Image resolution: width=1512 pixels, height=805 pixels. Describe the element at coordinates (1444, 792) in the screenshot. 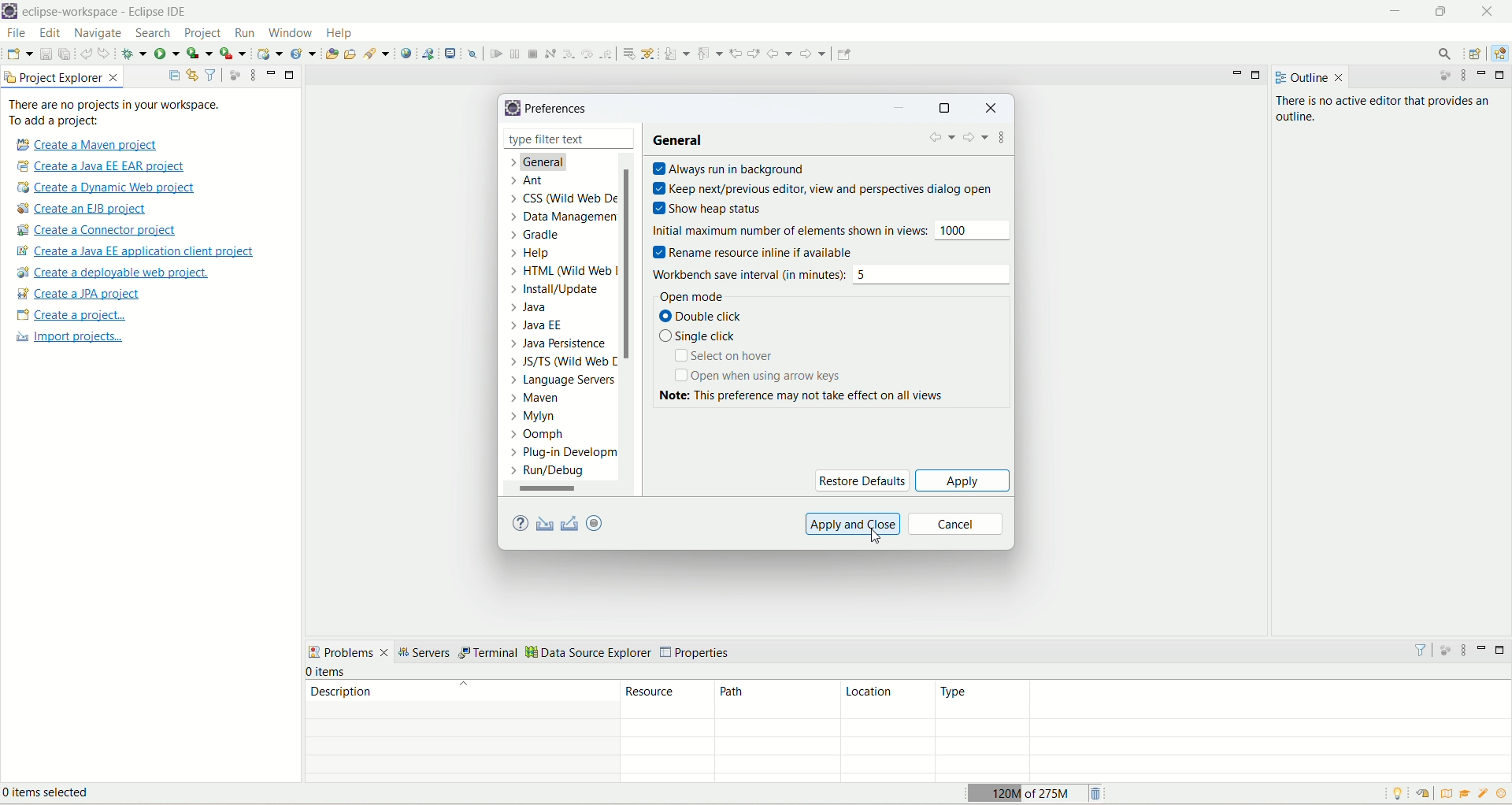

I see `overview` at that location.